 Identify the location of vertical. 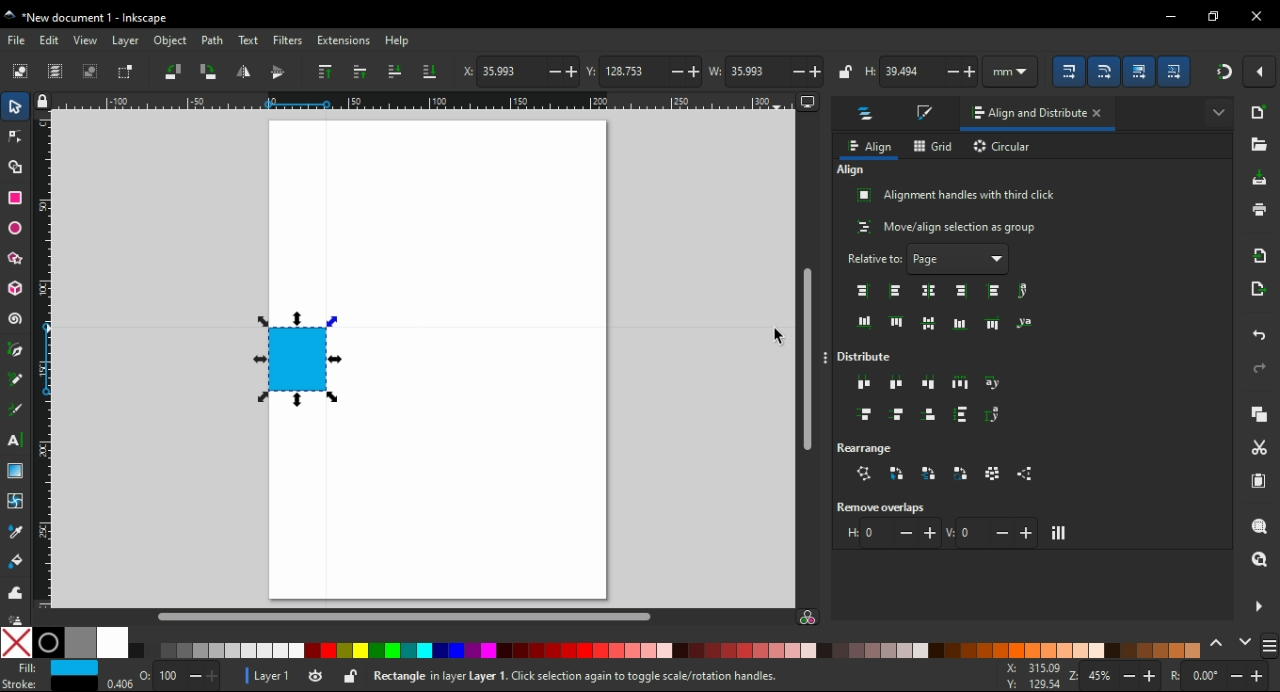
(991, 532).